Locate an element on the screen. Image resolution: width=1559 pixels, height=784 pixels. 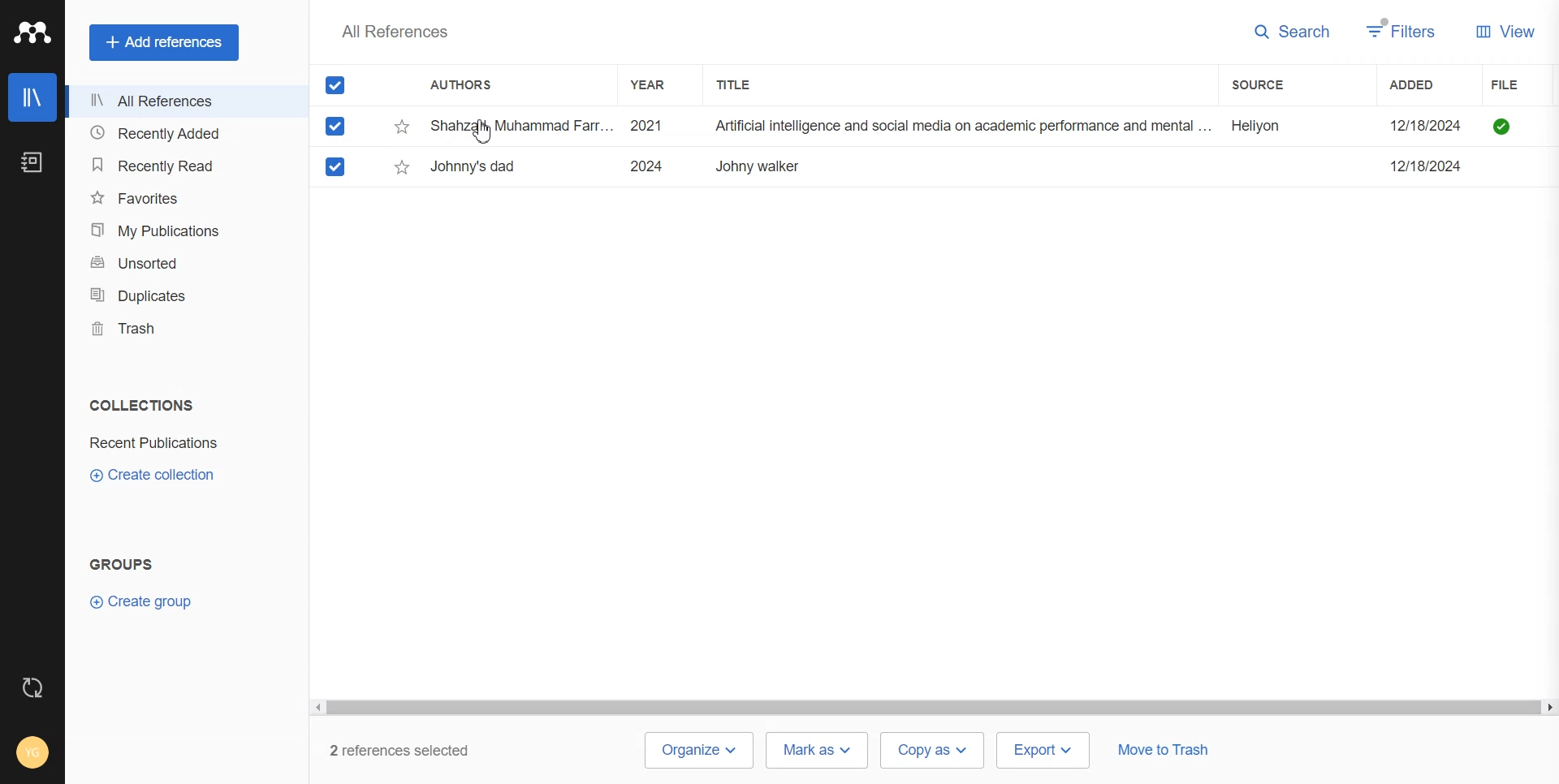
Favorites is located at coordinates (182, 196).